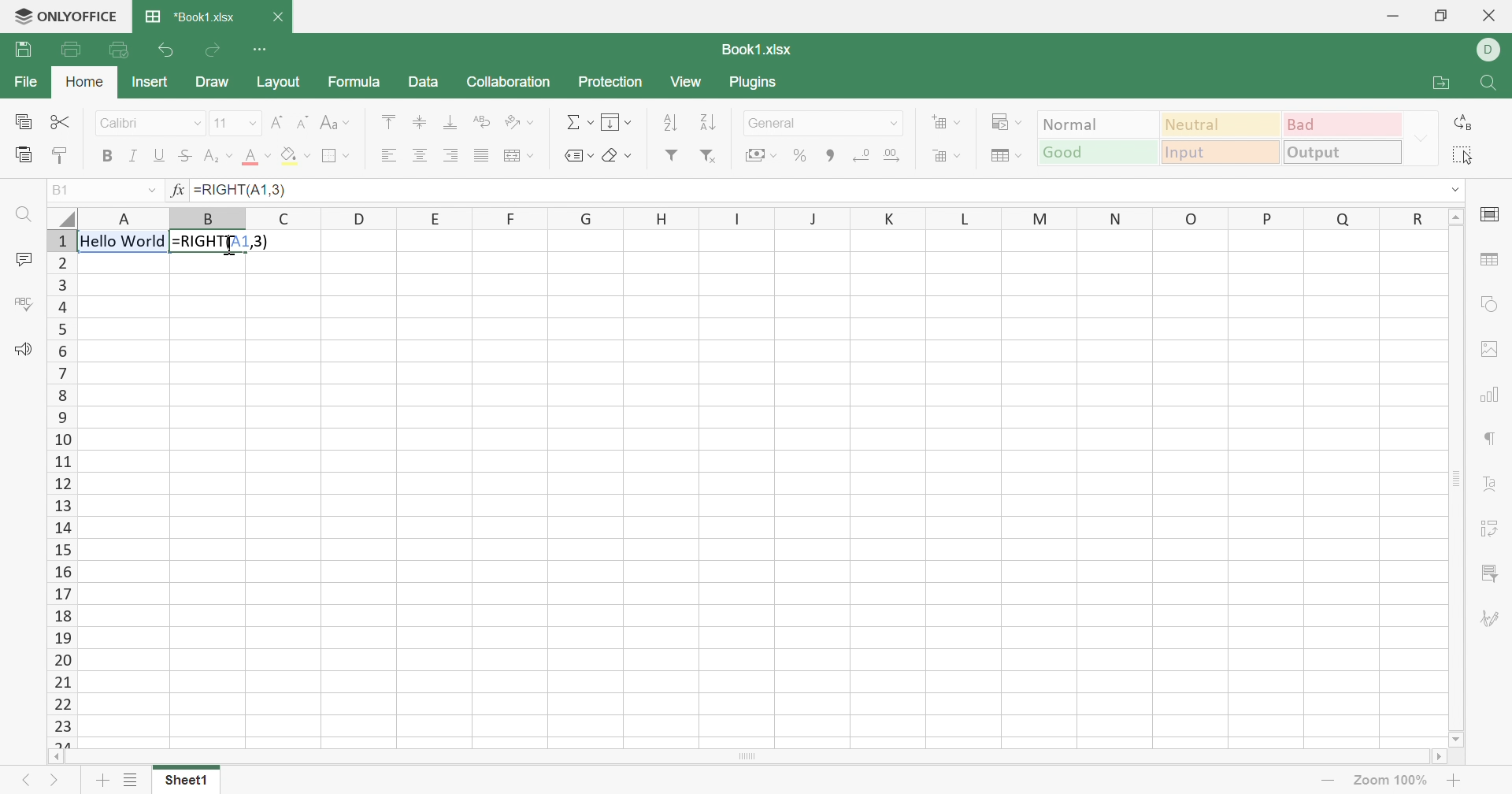 Image resolution: width=1512 pixels, height=794 pixels. Describe the element at coordinates (1489, 574) in the screenshot. I see `slicer settings` at that location.